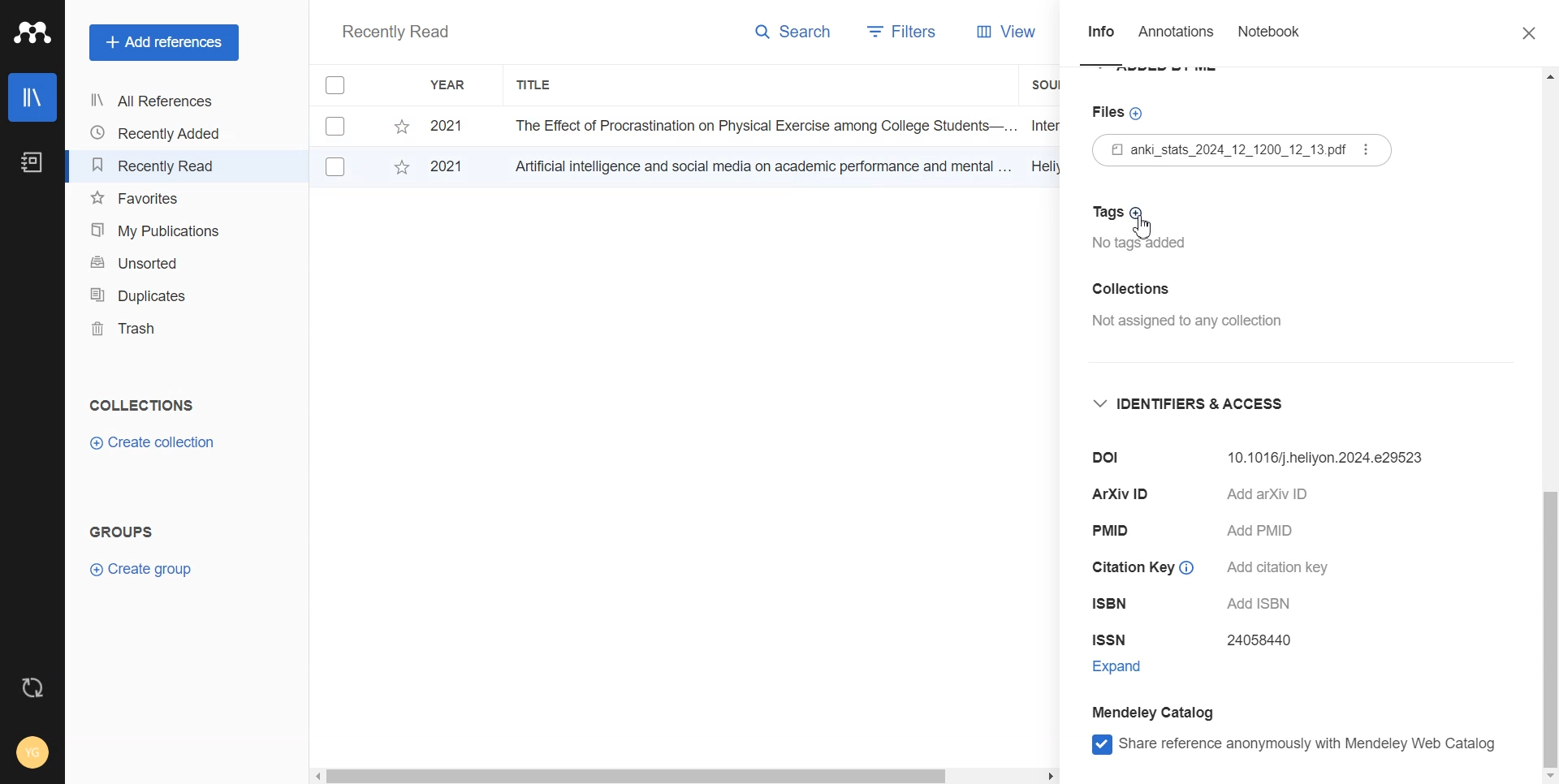 This screenshot has width=1559, height=784. What do you see at coordinates (401, 127) in the screenshot?
I see `Starred` at bounding box center [401, 127].